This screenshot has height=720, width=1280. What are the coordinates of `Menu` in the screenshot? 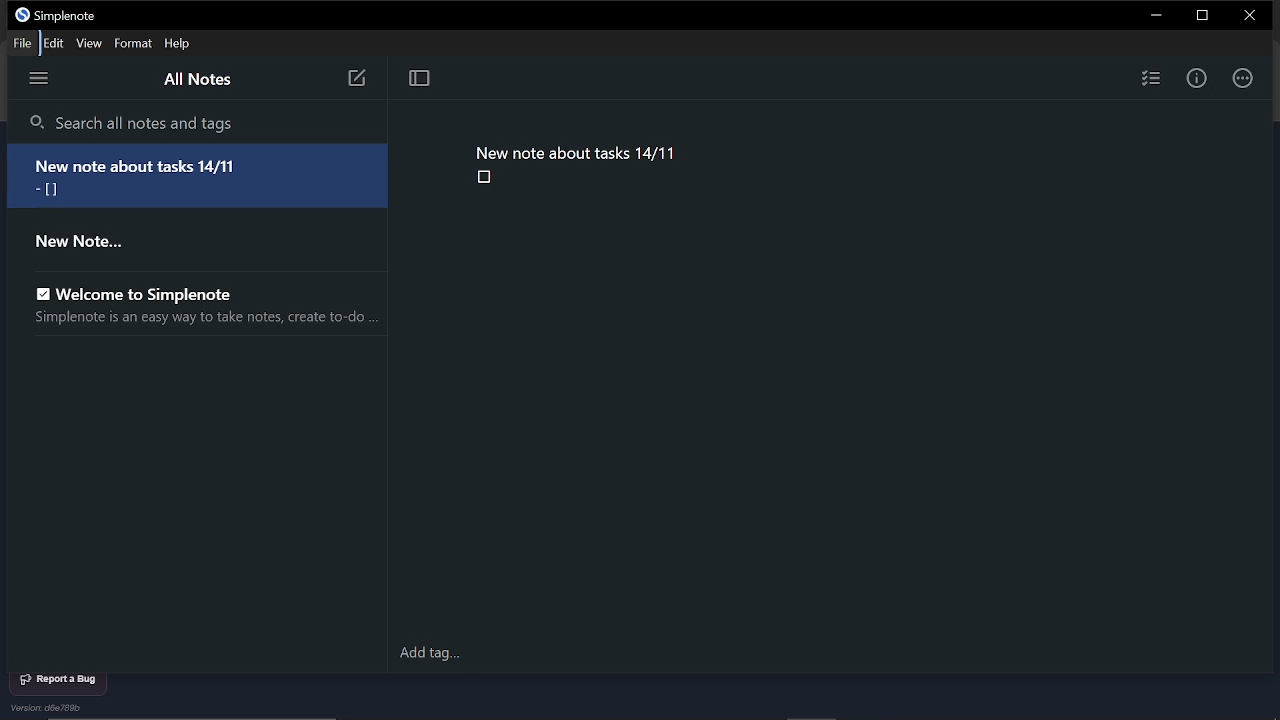 It's located at (40, 79).